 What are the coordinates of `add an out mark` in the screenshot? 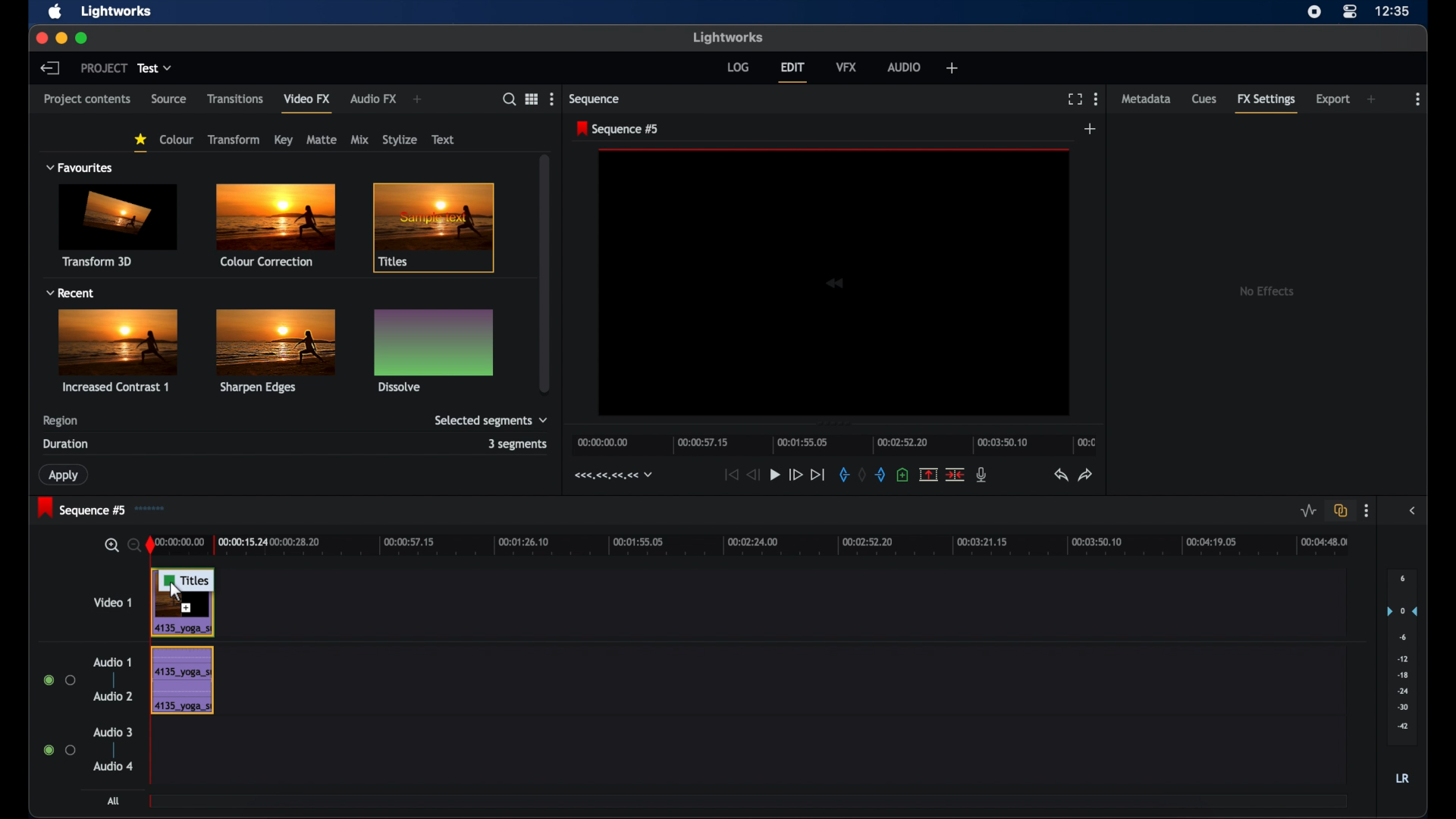 It's located at (880, 475).